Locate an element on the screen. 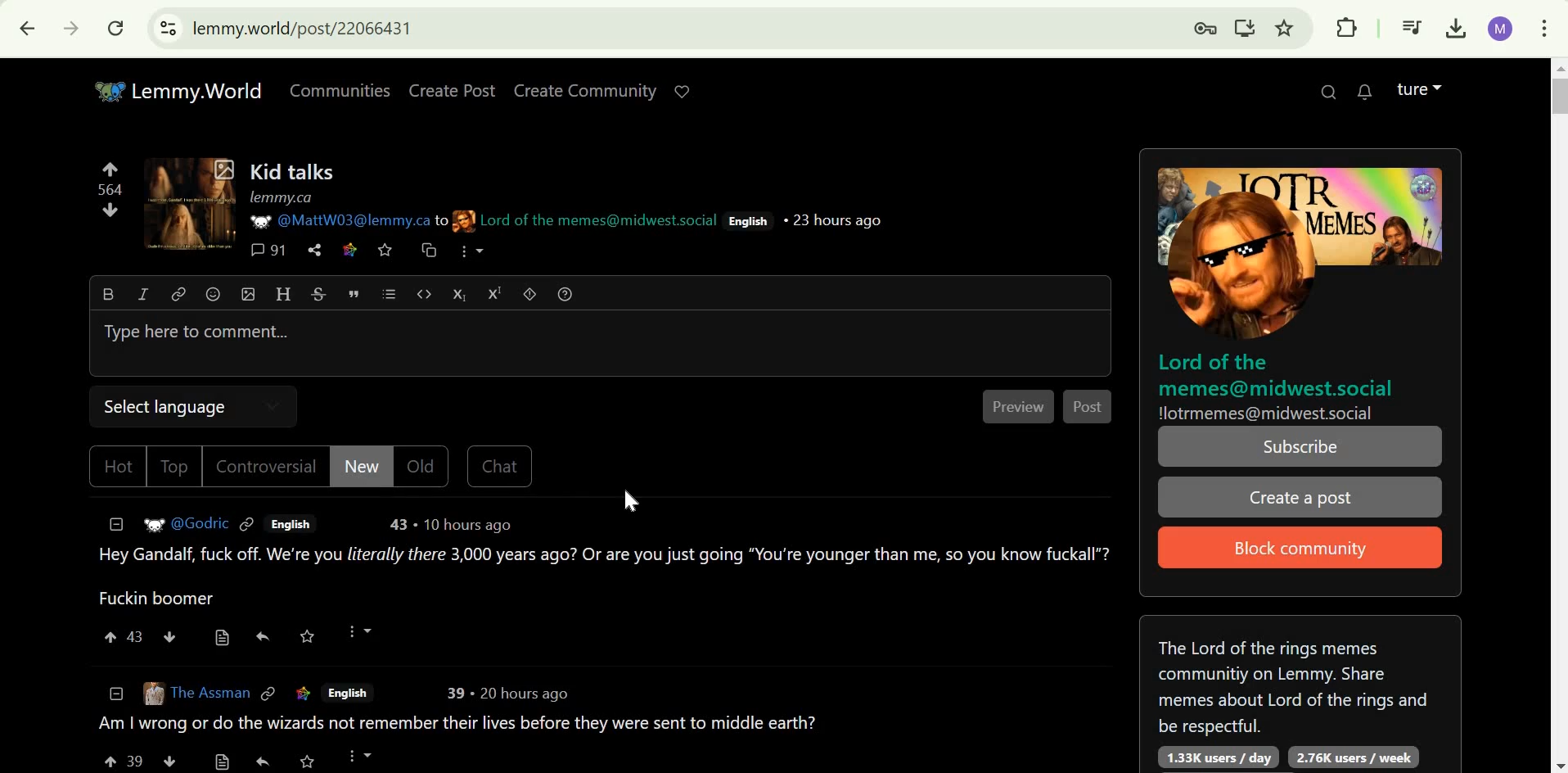 Image resolution: width=1568 pixels, height=773 pixels. upvote is located at coordinates (112, 637).